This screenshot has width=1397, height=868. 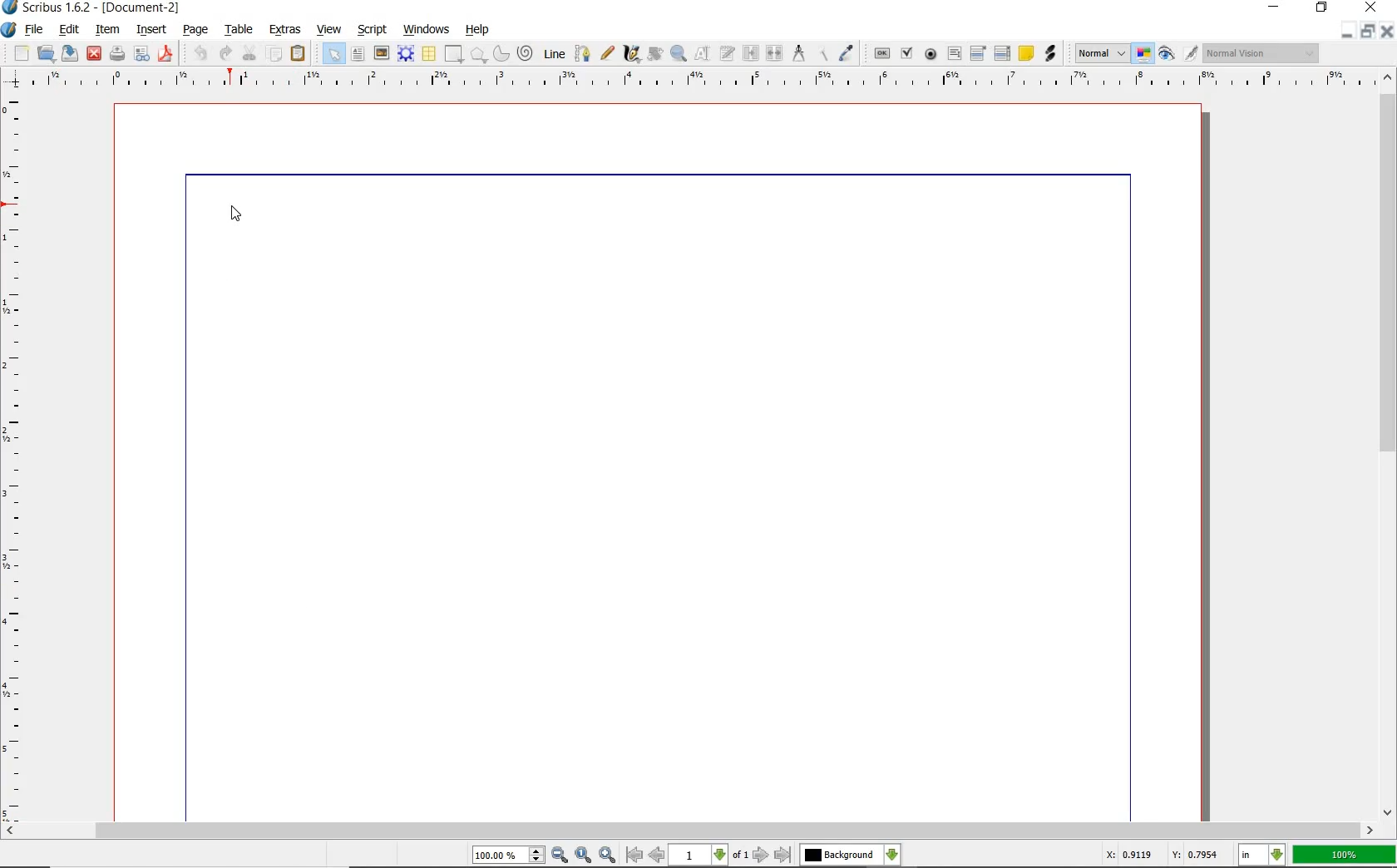 I want to click on X: 0.9119 Y: 0.7954, so click(x=1163, y=855).